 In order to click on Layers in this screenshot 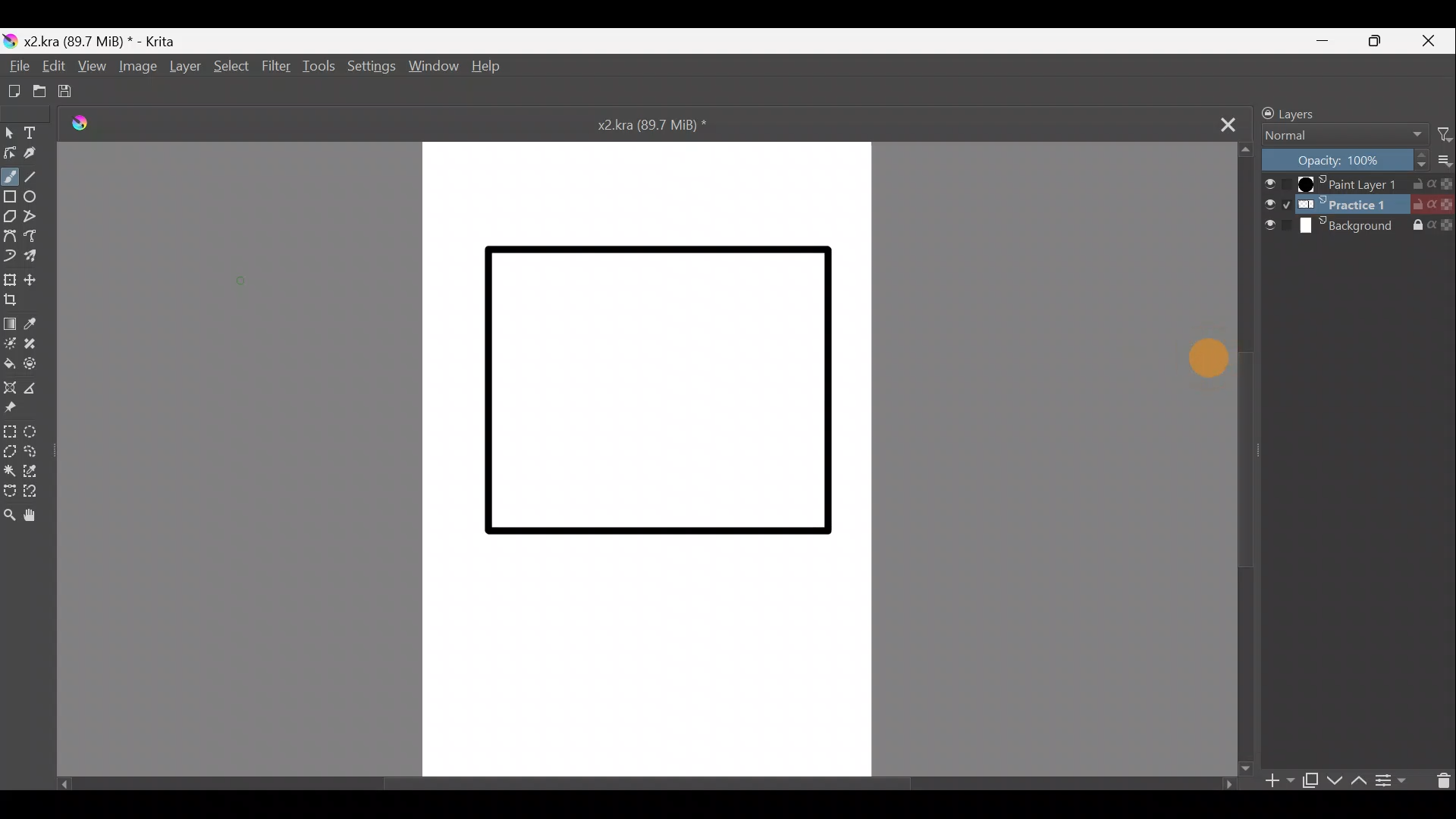, I will do `click(1303, 111)`.